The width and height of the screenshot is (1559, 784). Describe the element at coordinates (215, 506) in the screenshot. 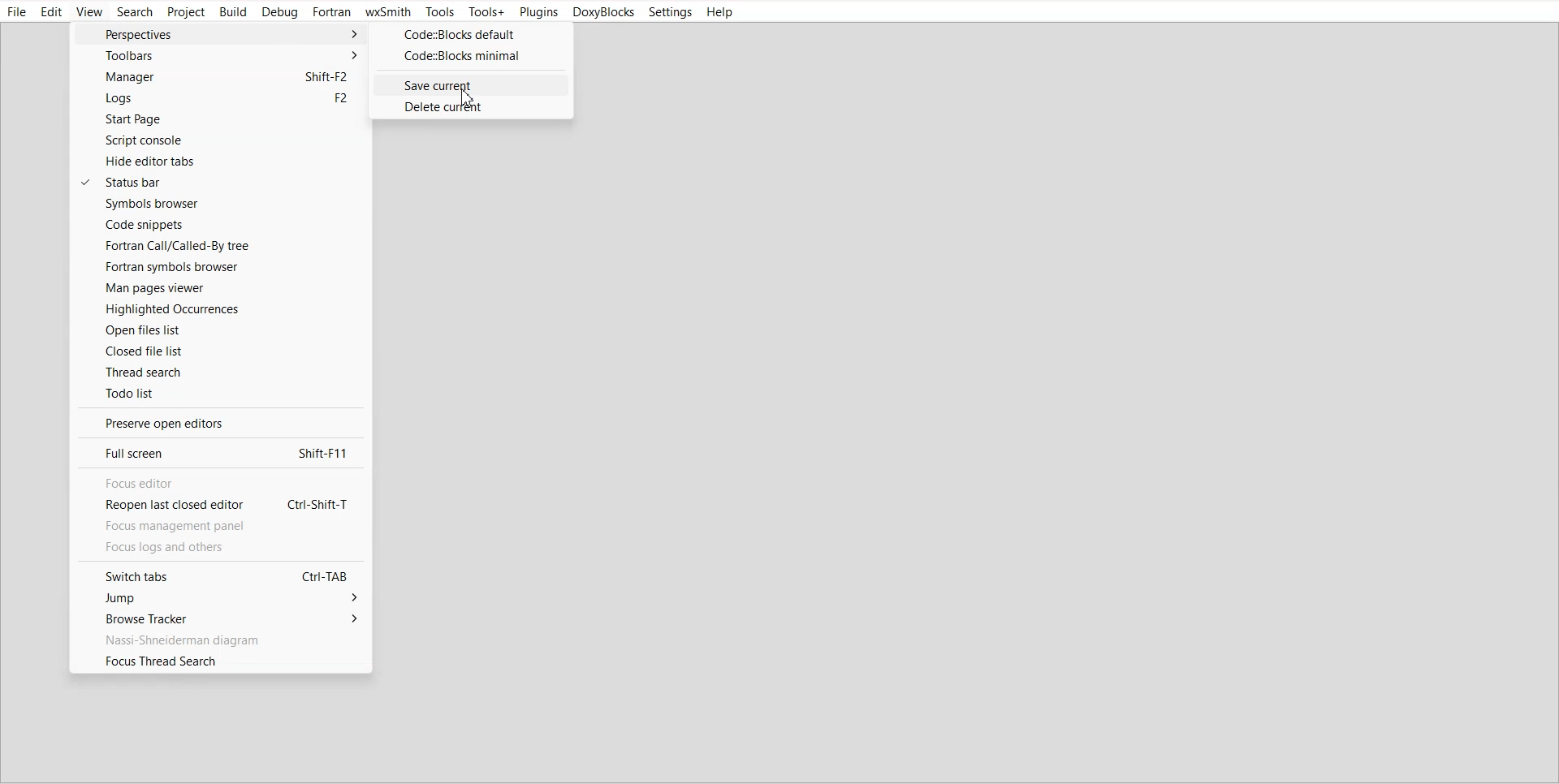

I see `Reopen last closed editor` at that location.